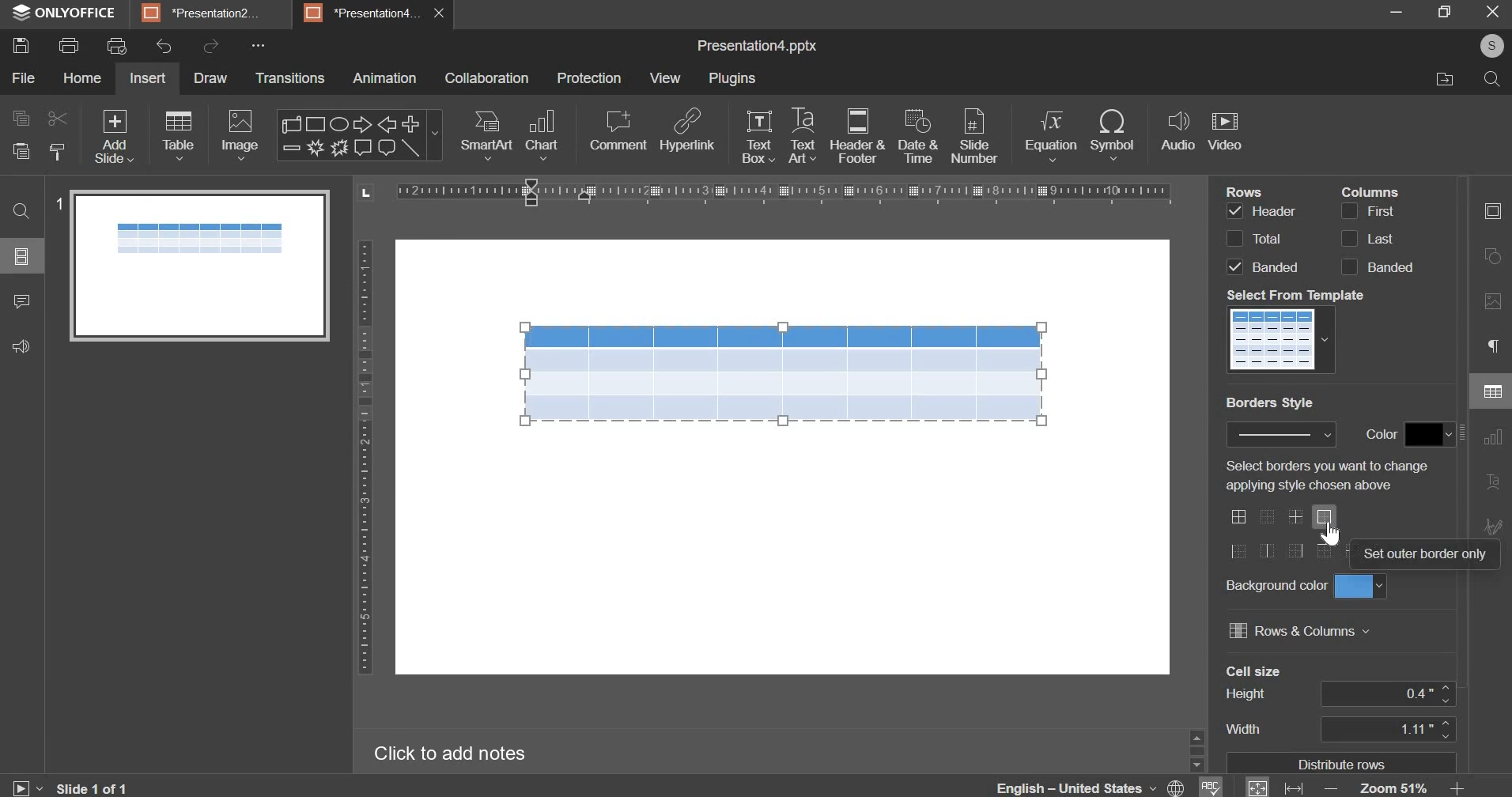 This screenshot has height=797, width=1512. Describe the element at coordinates (759, 138) in the screenshot. I see `text box` at that location.